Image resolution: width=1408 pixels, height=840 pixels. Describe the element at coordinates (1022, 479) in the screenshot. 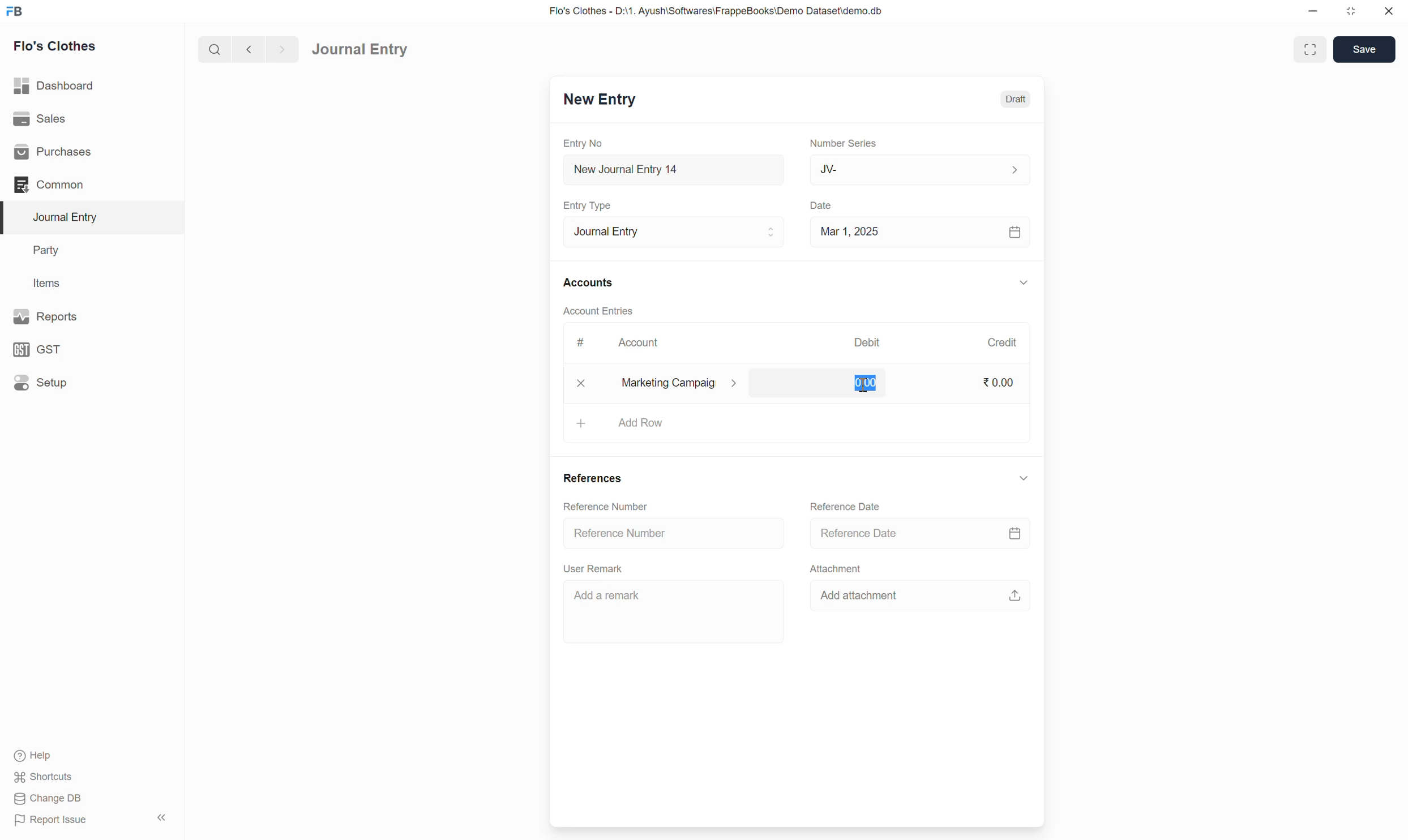

I see `down` at that location.